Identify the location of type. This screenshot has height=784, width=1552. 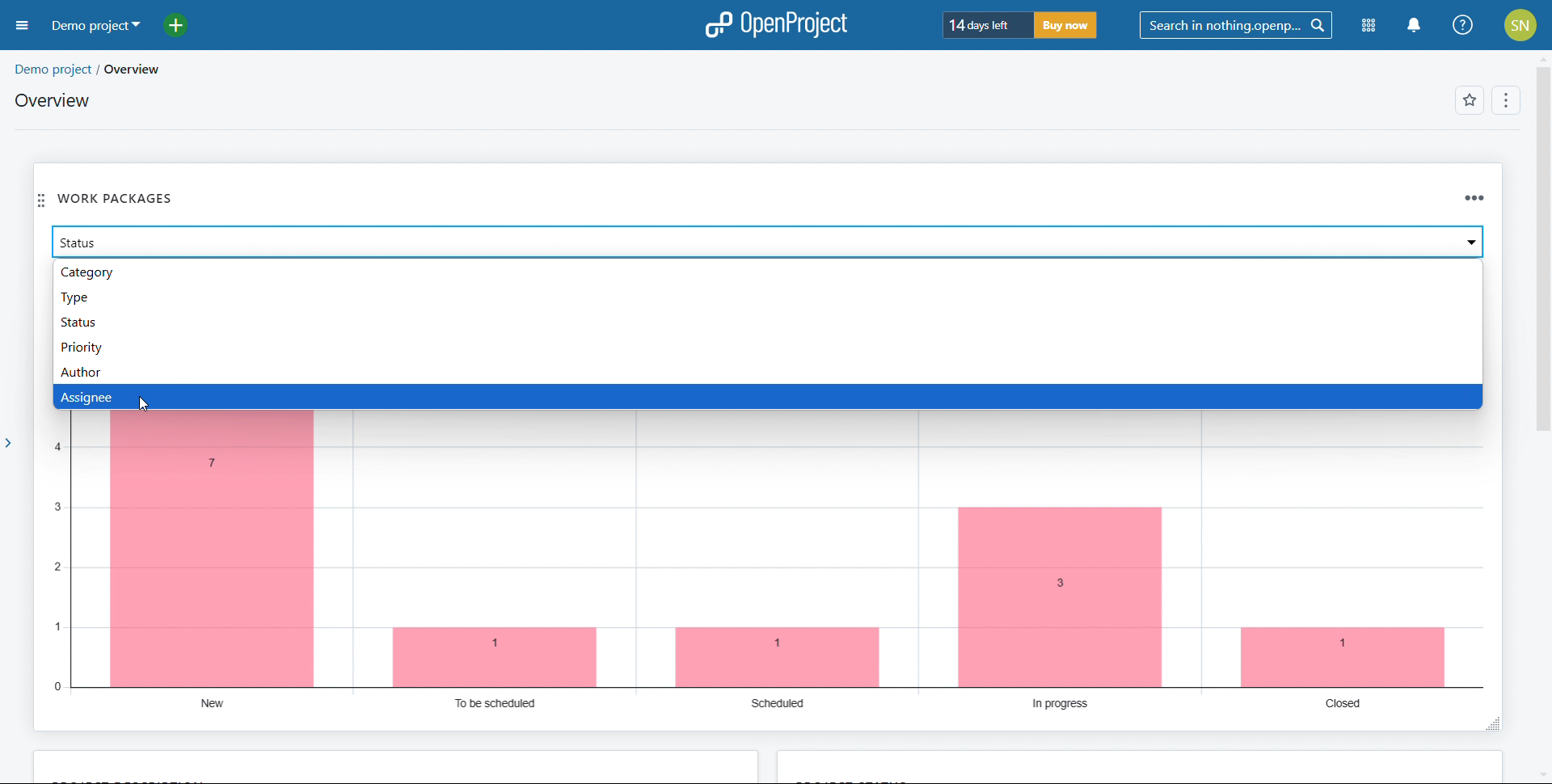
(770, 297).